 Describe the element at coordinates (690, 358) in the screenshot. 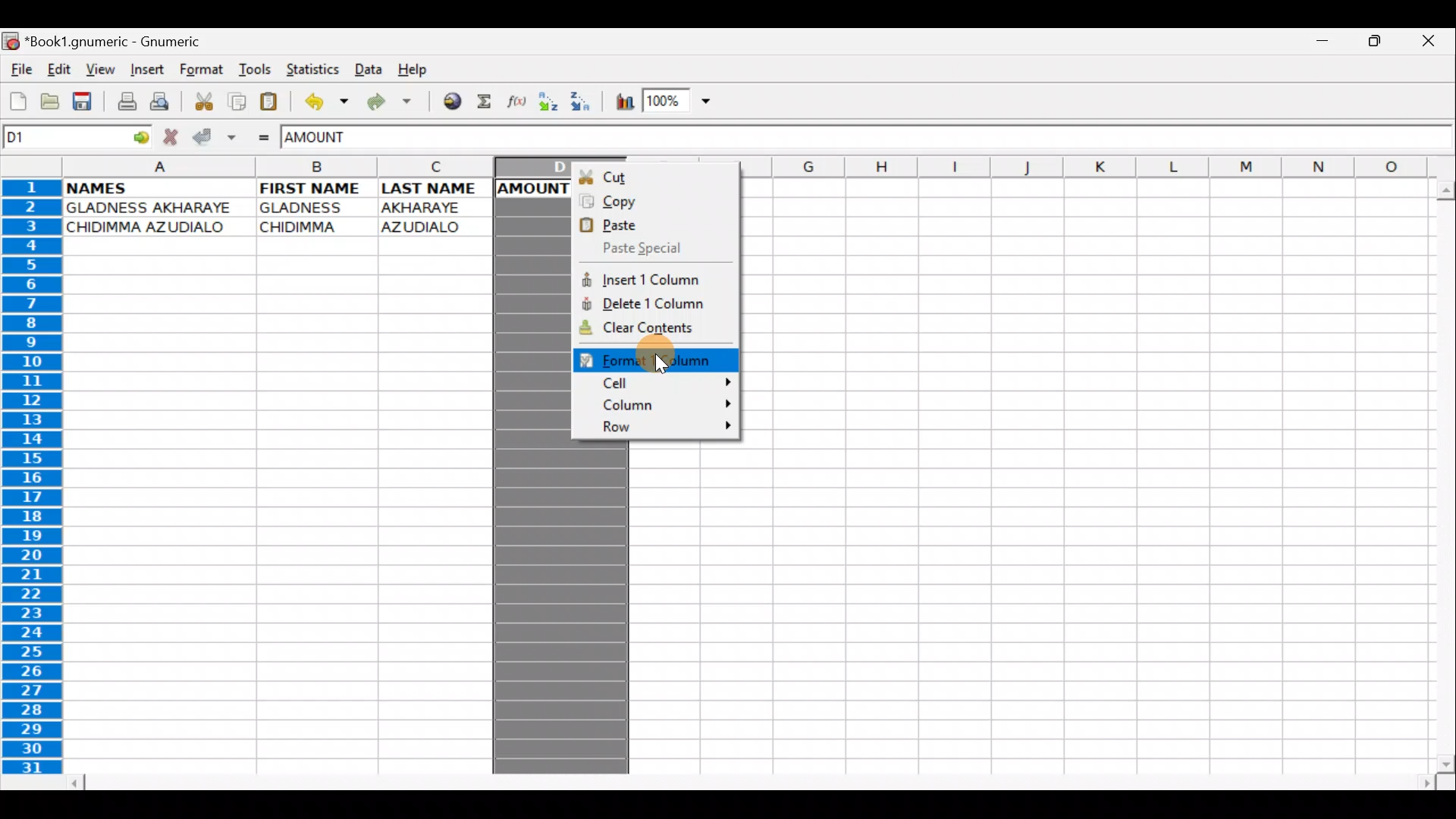

I see `Cursor on  Format 1 column` at that location.